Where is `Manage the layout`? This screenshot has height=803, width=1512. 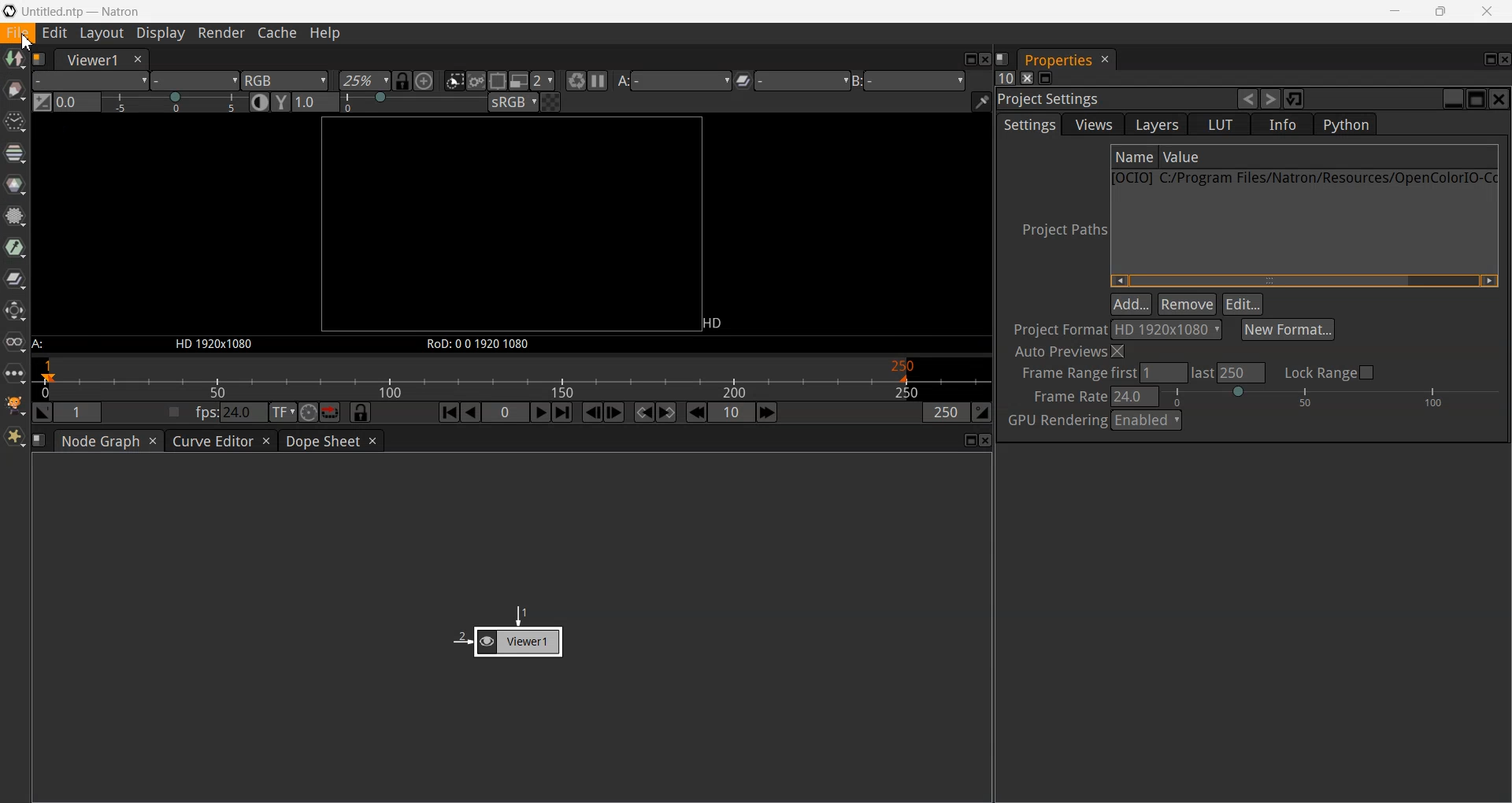
Manage the layout is located at coordinates (39, 440).